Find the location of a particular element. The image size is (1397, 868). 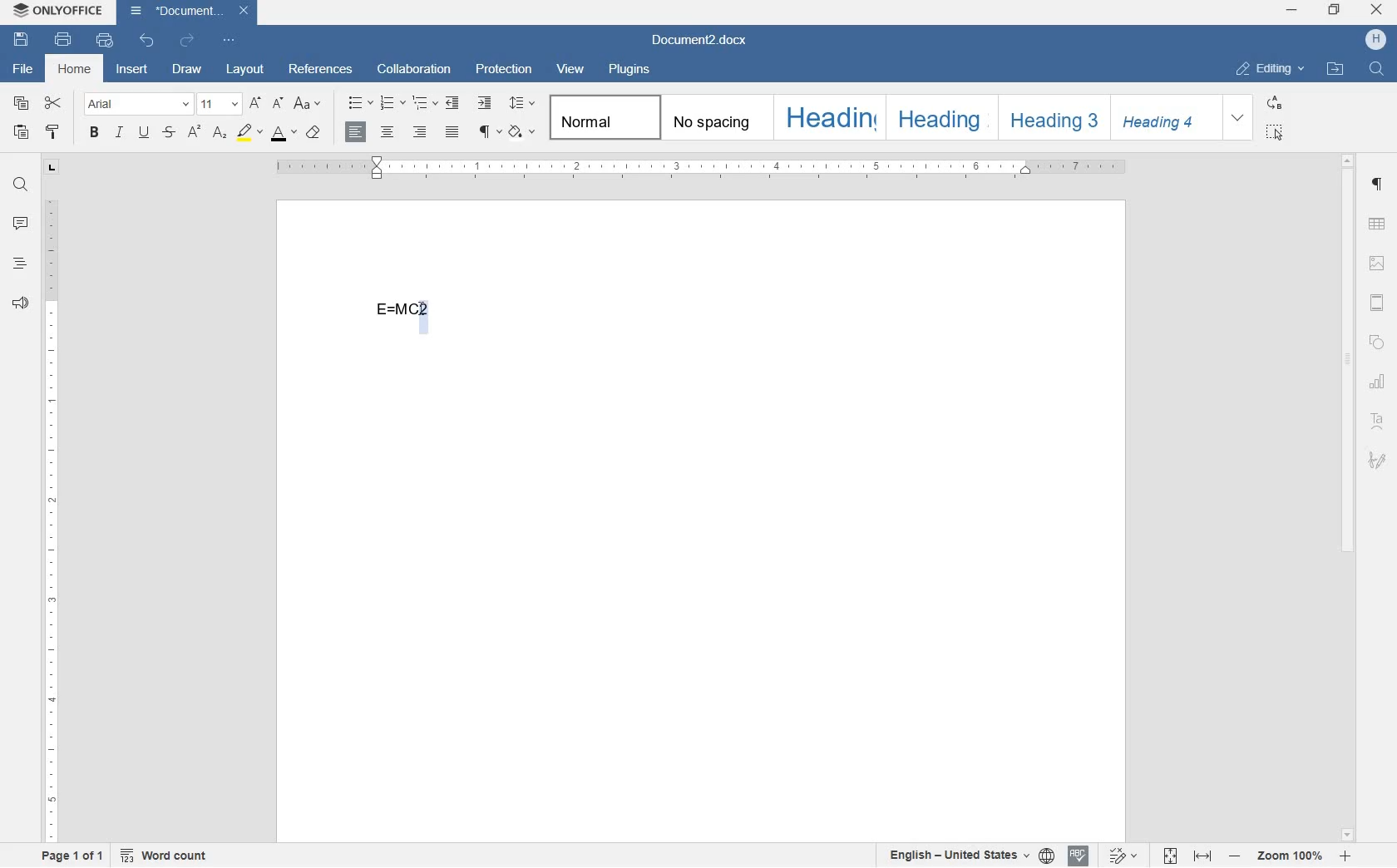

subscript is located at coordinates (219, 133).